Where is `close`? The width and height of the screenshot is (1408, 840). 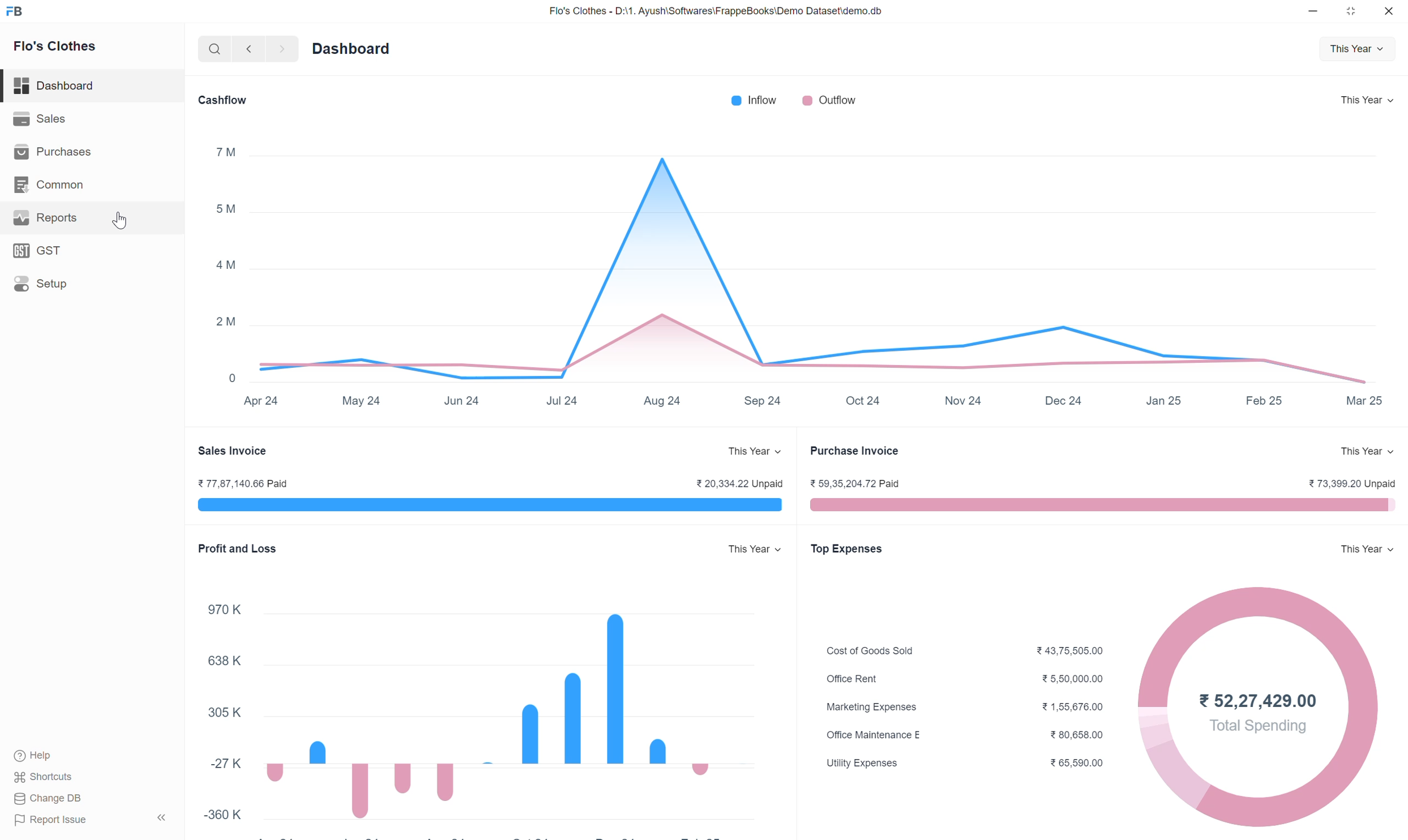 close is located at coordinates (1389, 11).